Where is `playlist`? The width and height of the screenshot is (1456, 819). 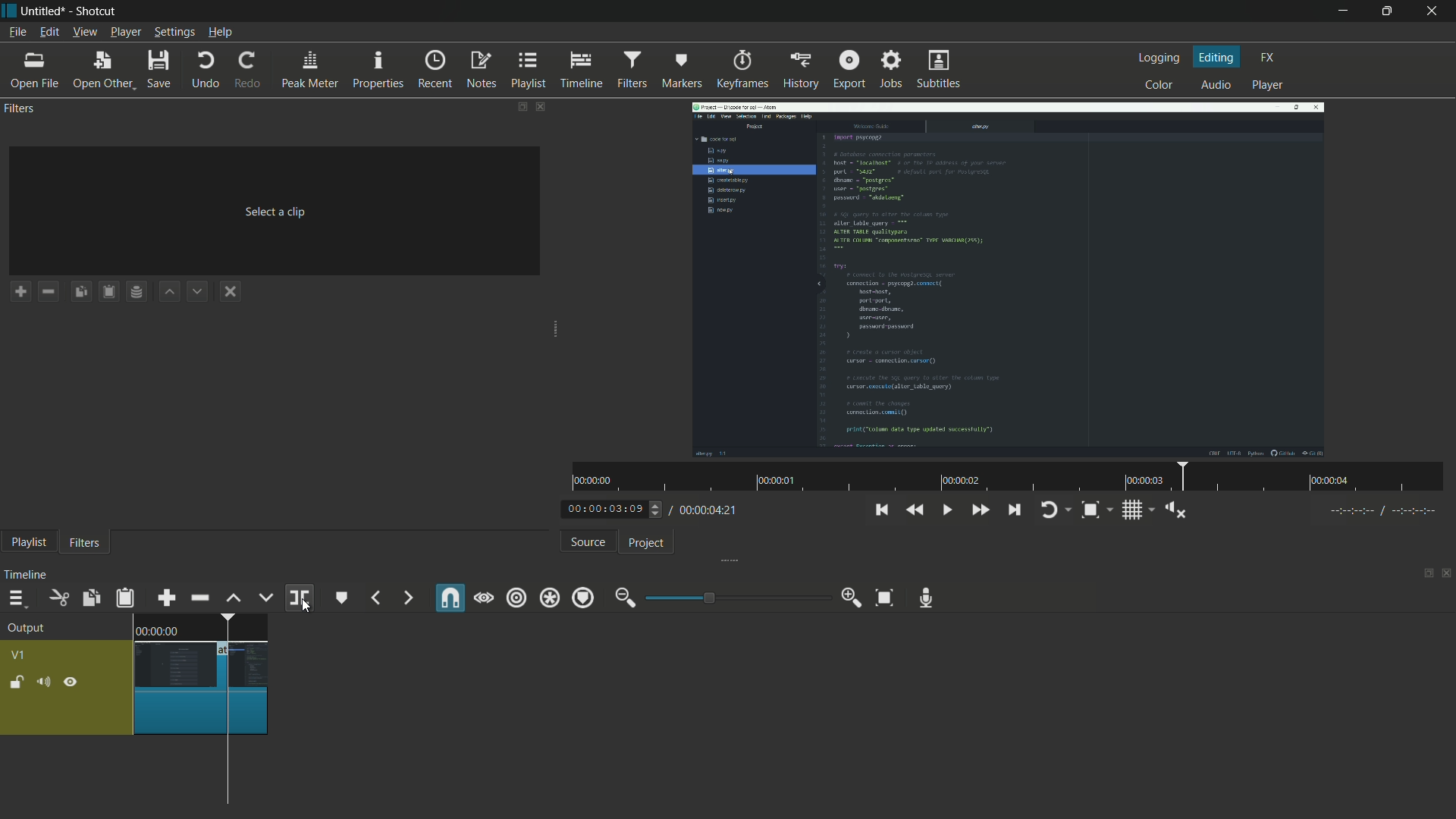
playlist is located at coordinates (529, 71).